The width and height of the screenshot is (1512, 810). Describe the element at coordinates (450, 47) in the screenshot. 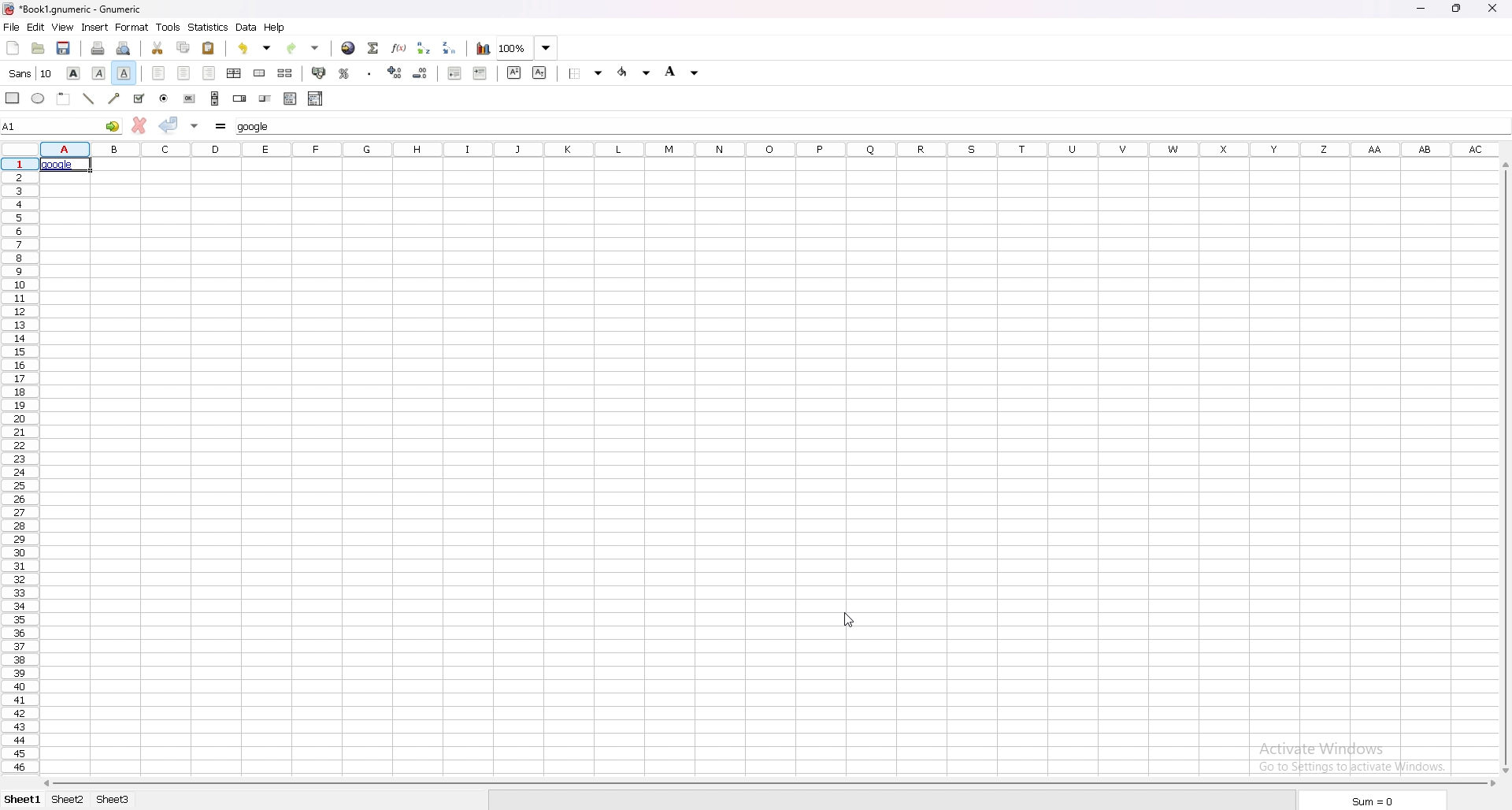

I see `sort descending` at that location.